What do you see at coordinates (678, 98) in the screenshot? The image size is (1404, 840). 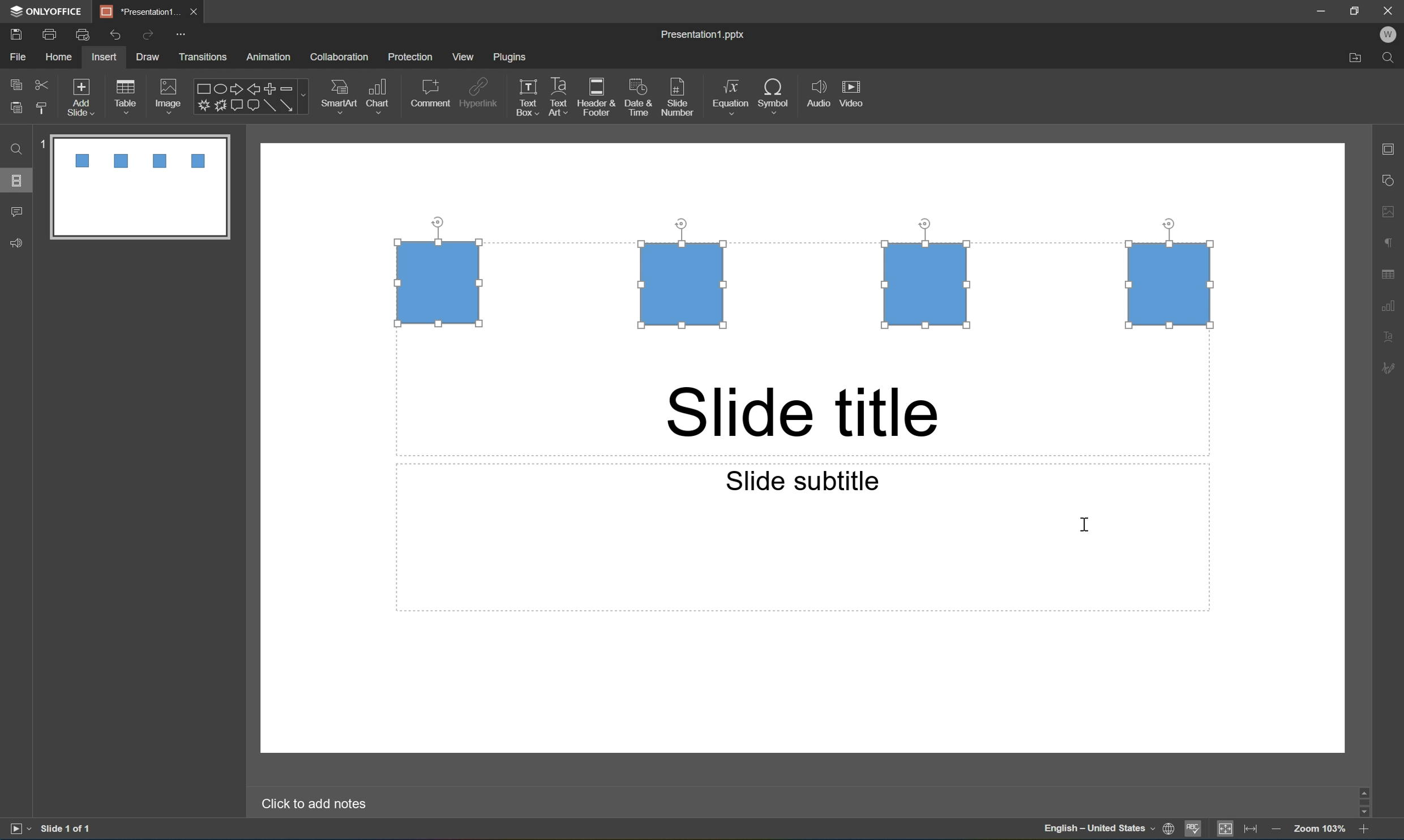 I see `slide number` at bounding box center [678, 98].